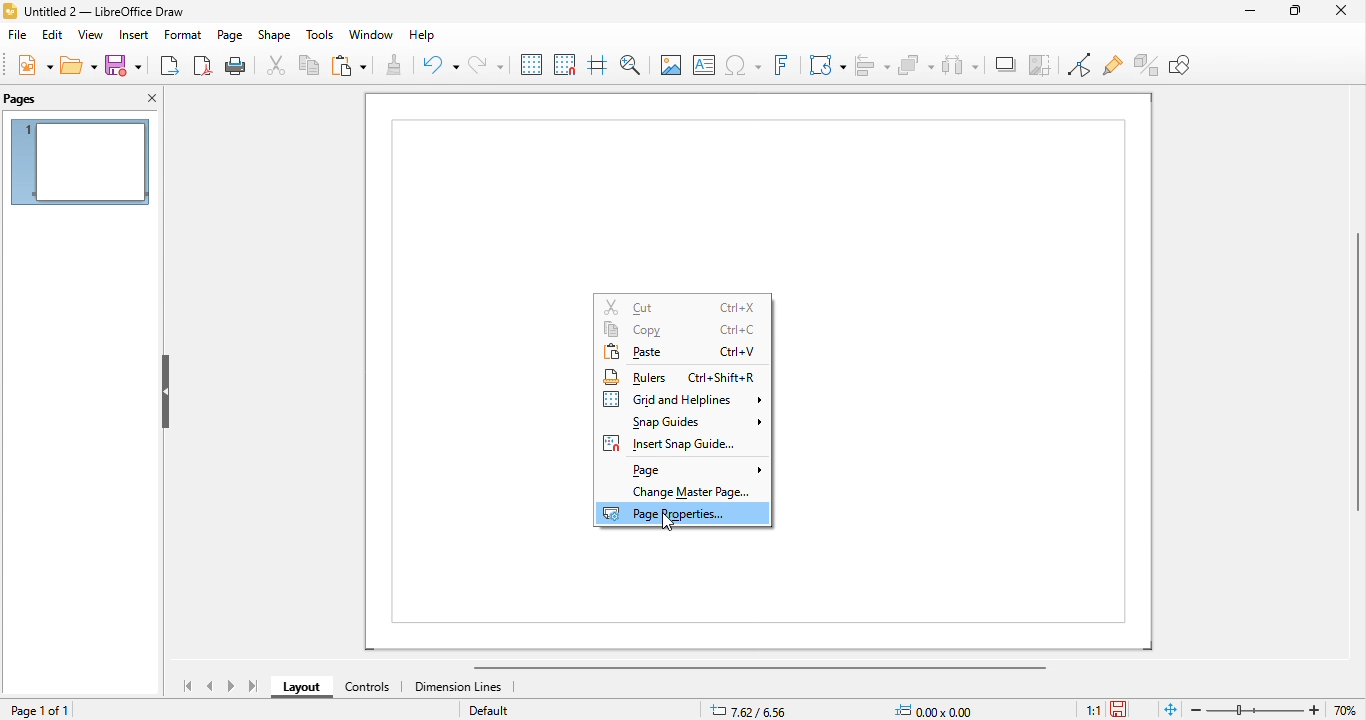  Describe the element at coordinates (17, 35) in the screenshot. I see `file` at that location.